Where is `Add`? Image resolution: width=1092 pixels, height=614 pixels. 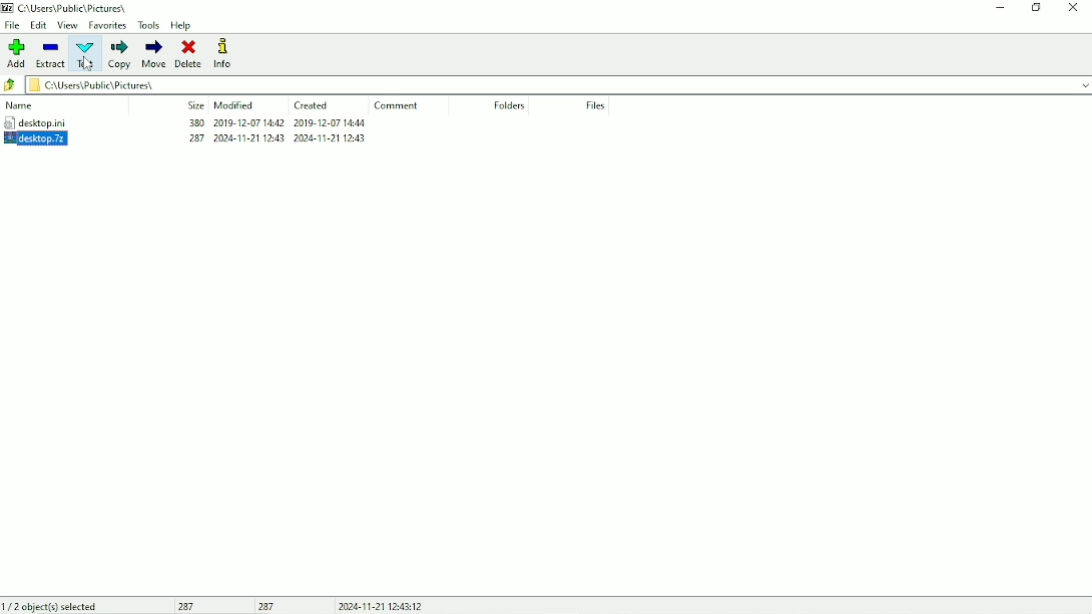 Add is located at coordinates (17, 54).